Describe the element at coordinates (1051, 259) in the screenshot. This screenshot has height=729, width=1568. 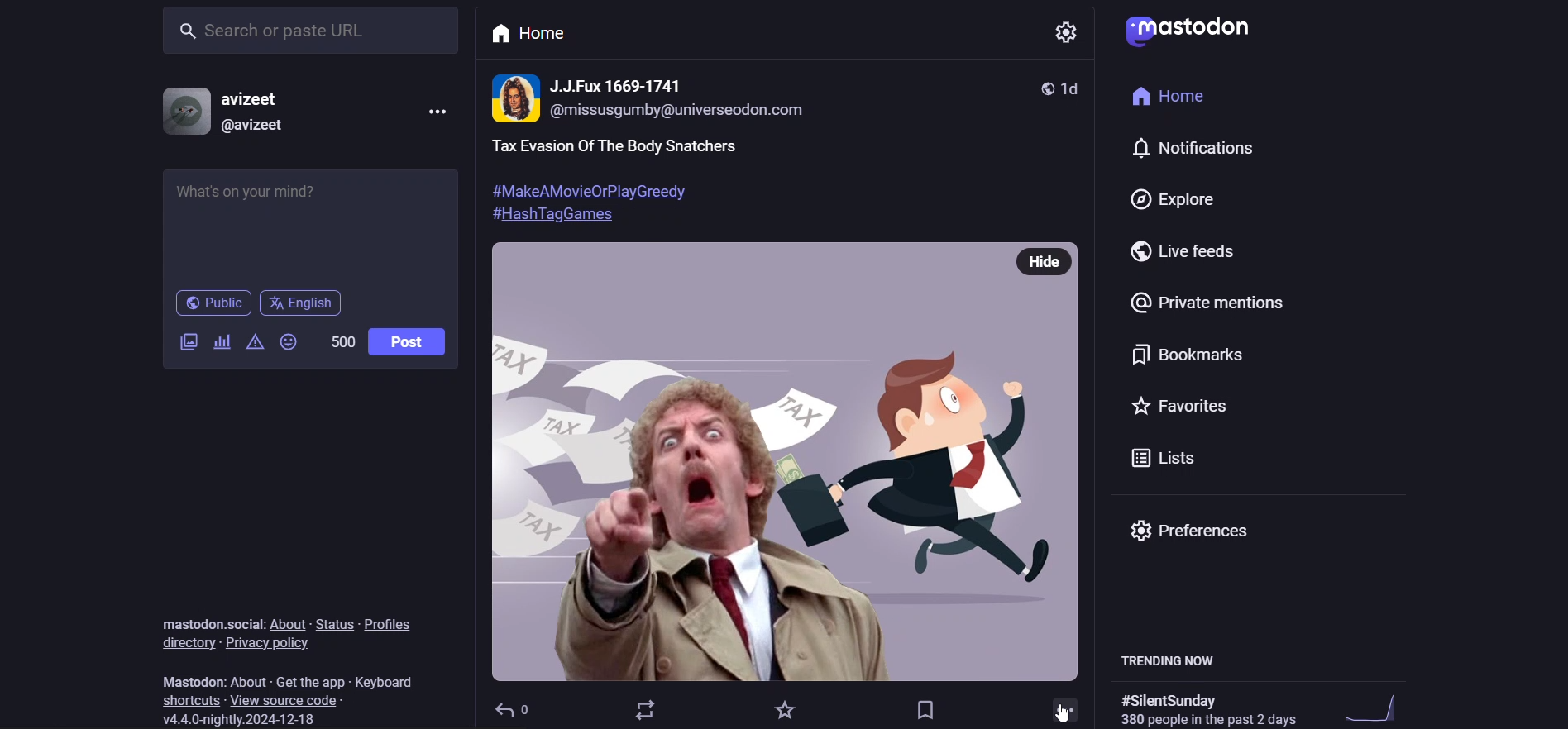
I see `hide` at that location.